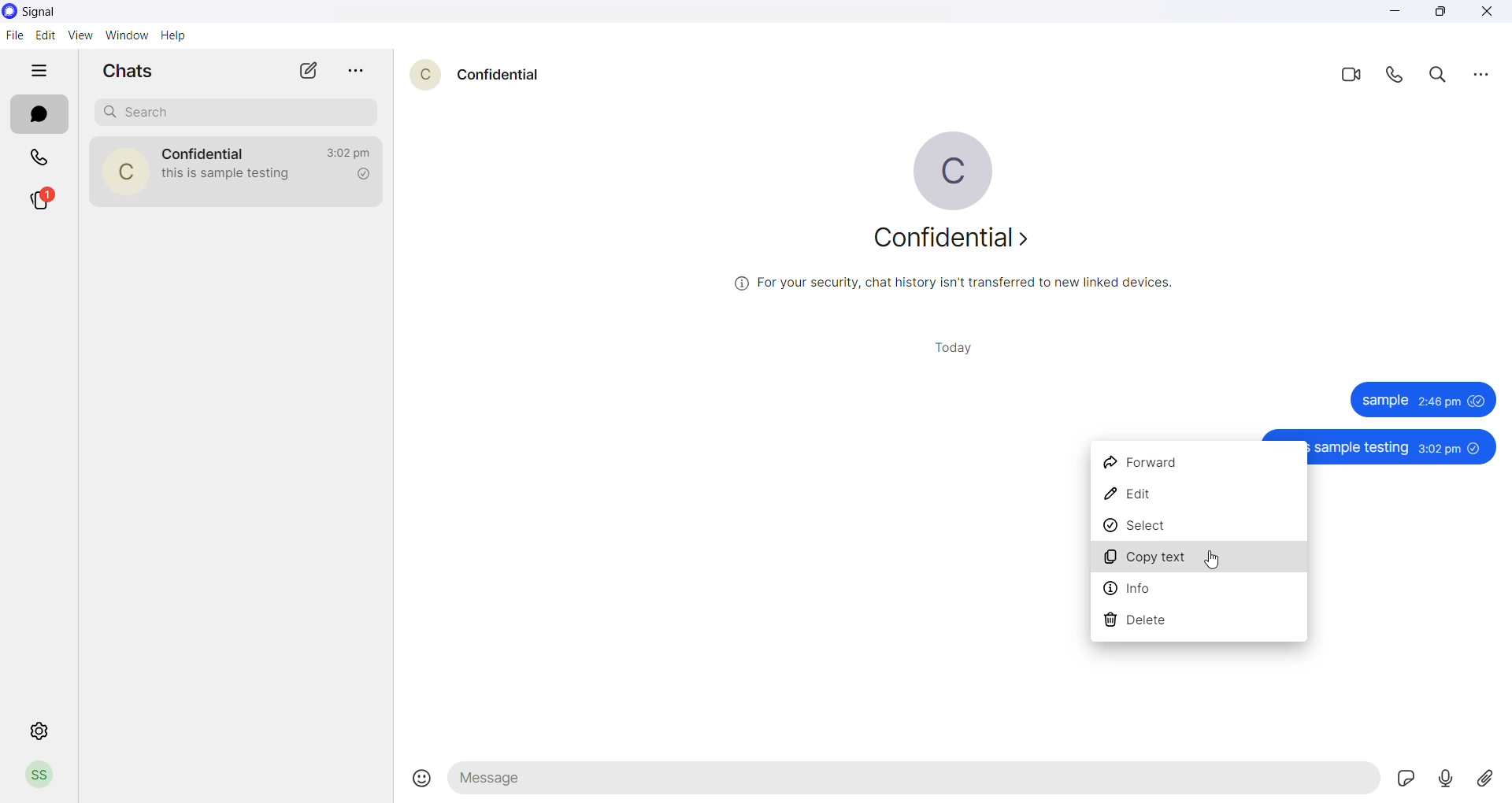  Describe the element at coordinates (1488, 779) in the screenshot. I see `share attachment` at that location.